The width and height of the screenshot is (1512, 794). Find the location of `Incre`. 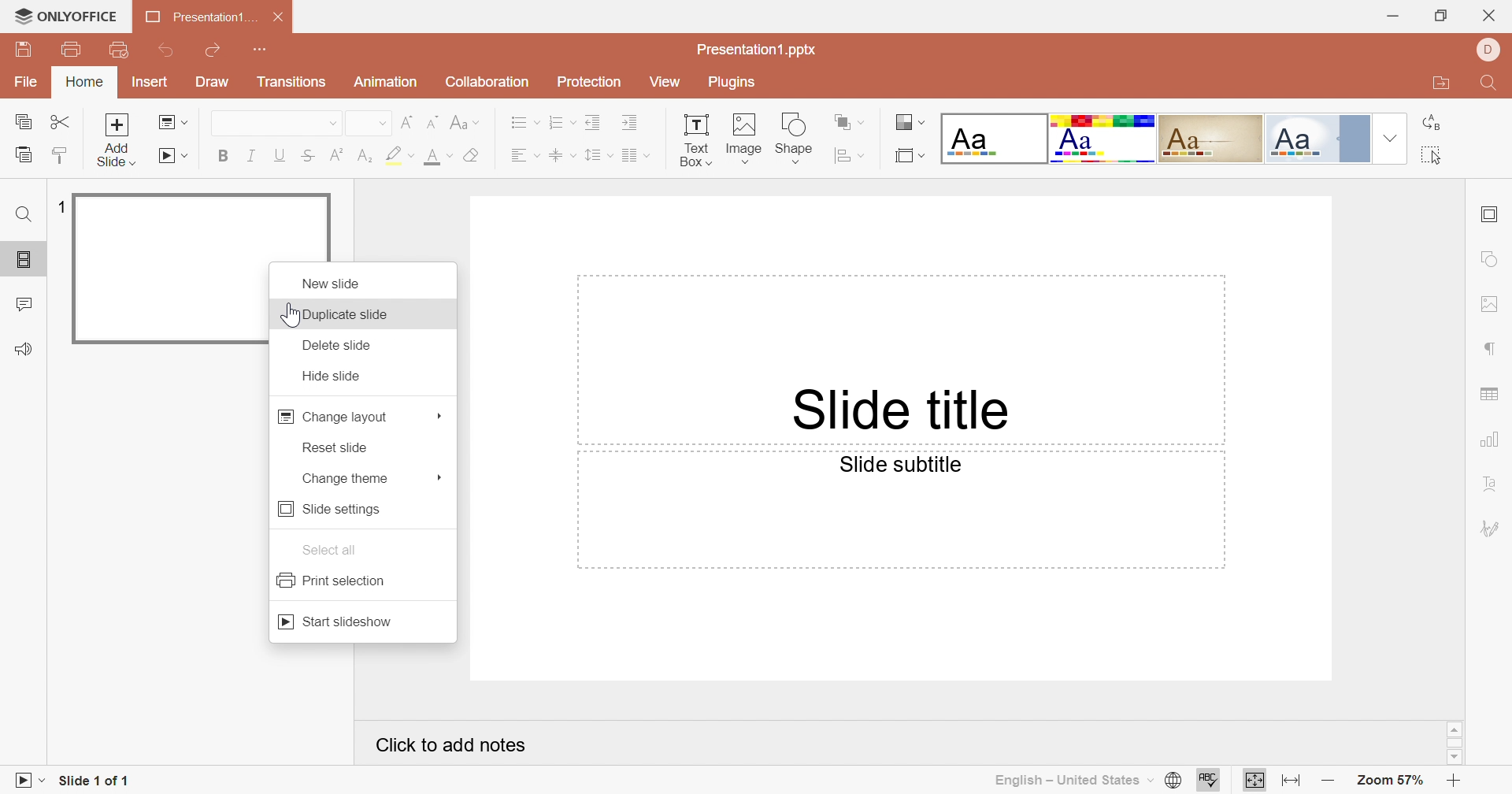

Incre is located at coordinates (632, 121).